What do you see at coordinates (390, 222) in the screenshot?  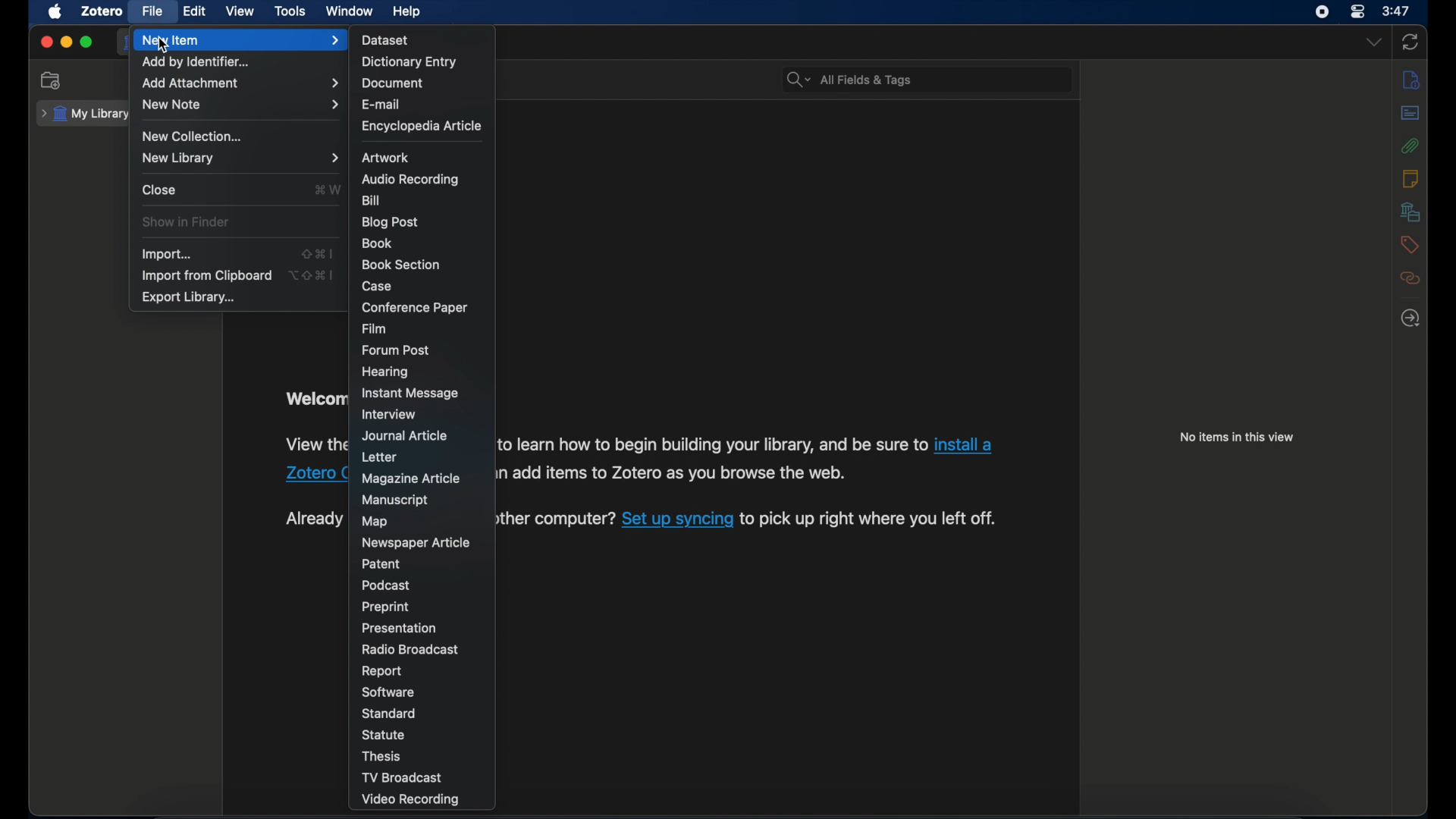 I see `blog post` at bounding box center [390, 222].